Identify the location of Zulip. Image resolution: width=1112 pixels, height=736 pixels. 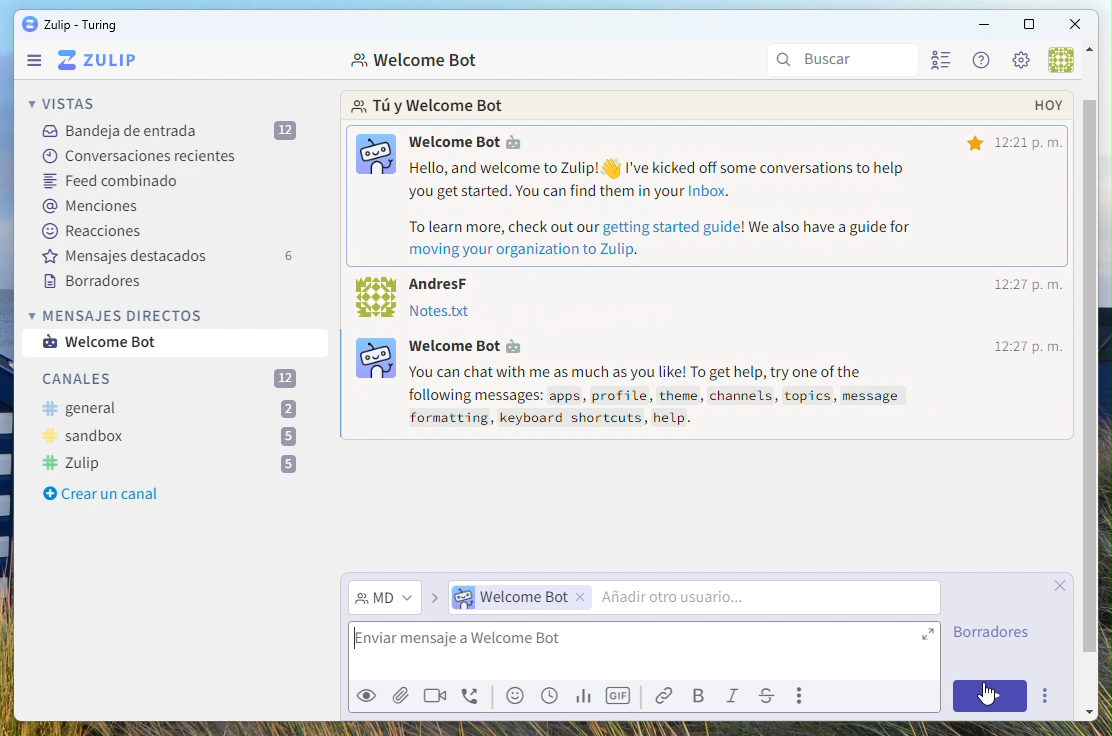
(69, 25).